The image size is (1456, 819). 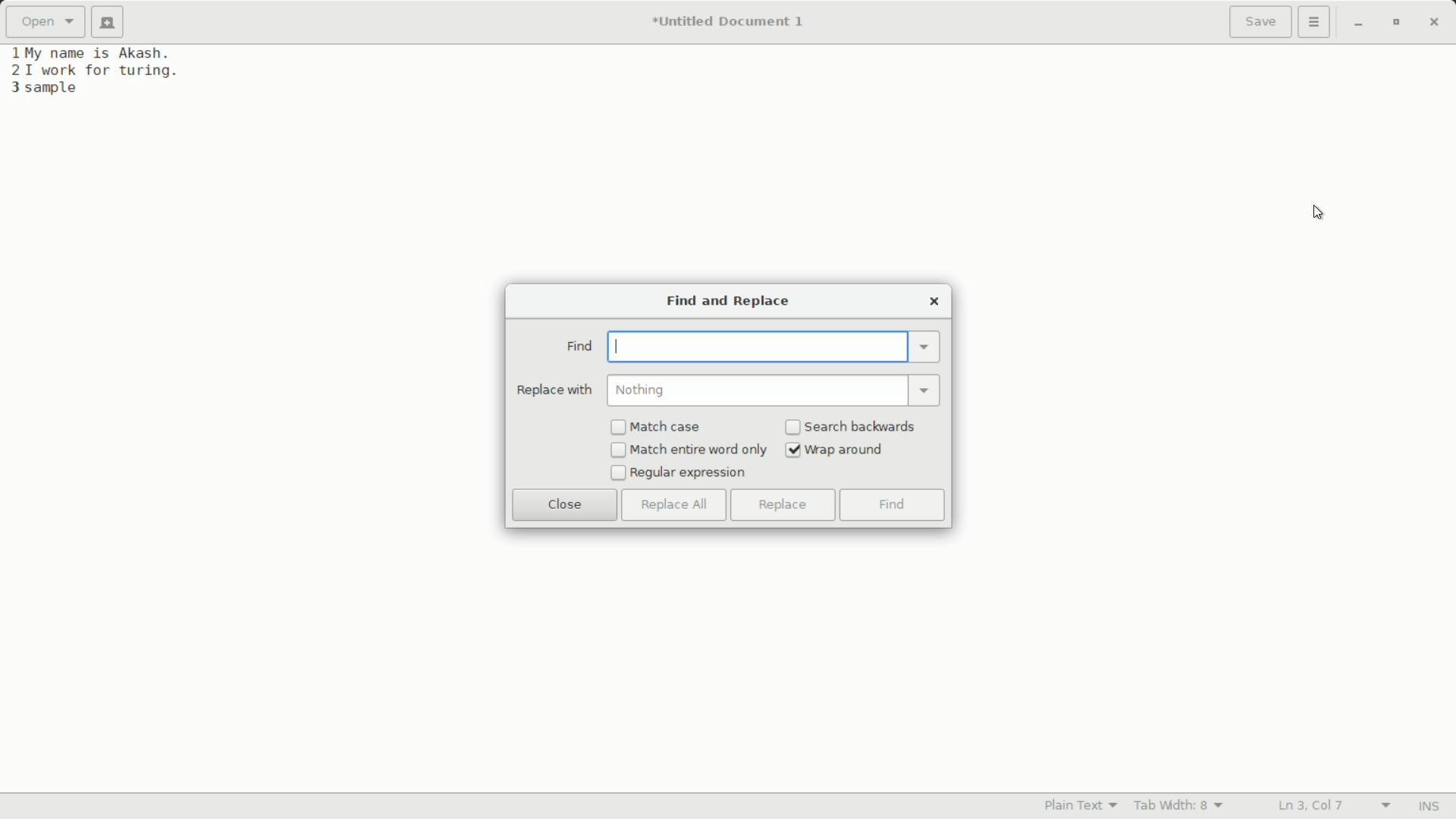 I want to click on replace, so click(x=781, y=505).